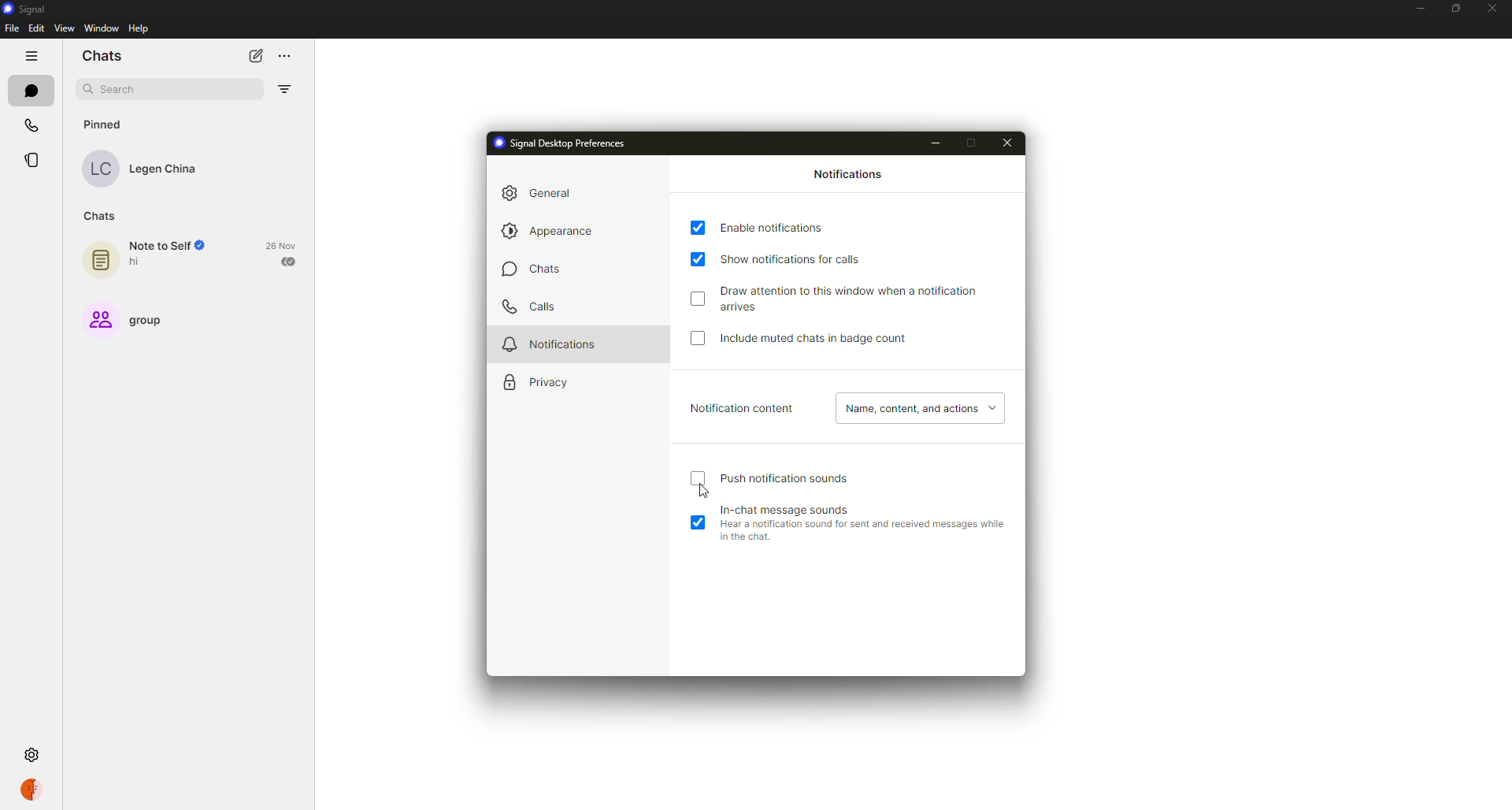 This screenshot has width=1512, height=810. Describe the element at coordinates (703, 492) in the screenshot. I see `cursor` at that location.